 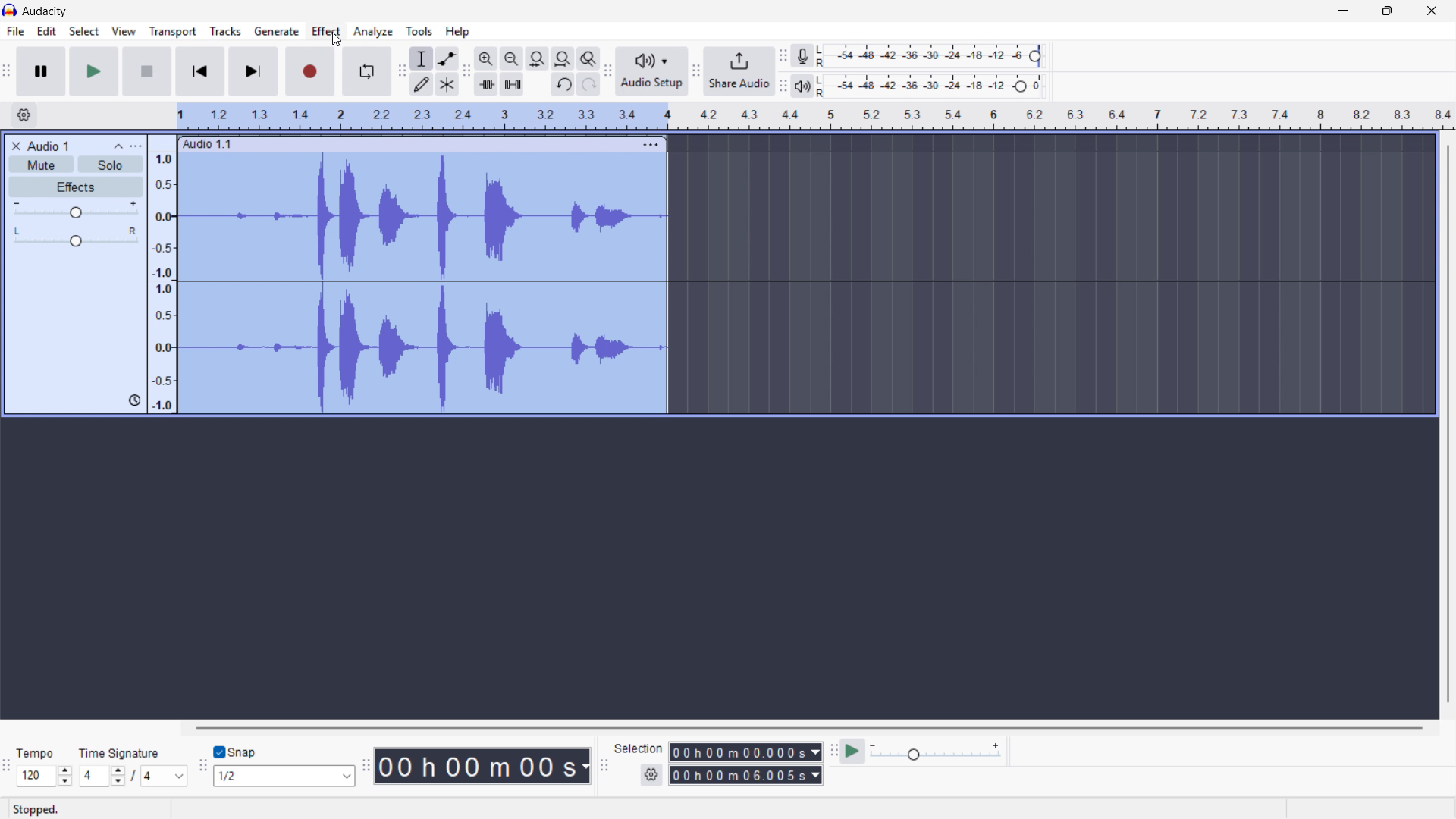 I want to click on Playback metre, so click(x=804, y=86).